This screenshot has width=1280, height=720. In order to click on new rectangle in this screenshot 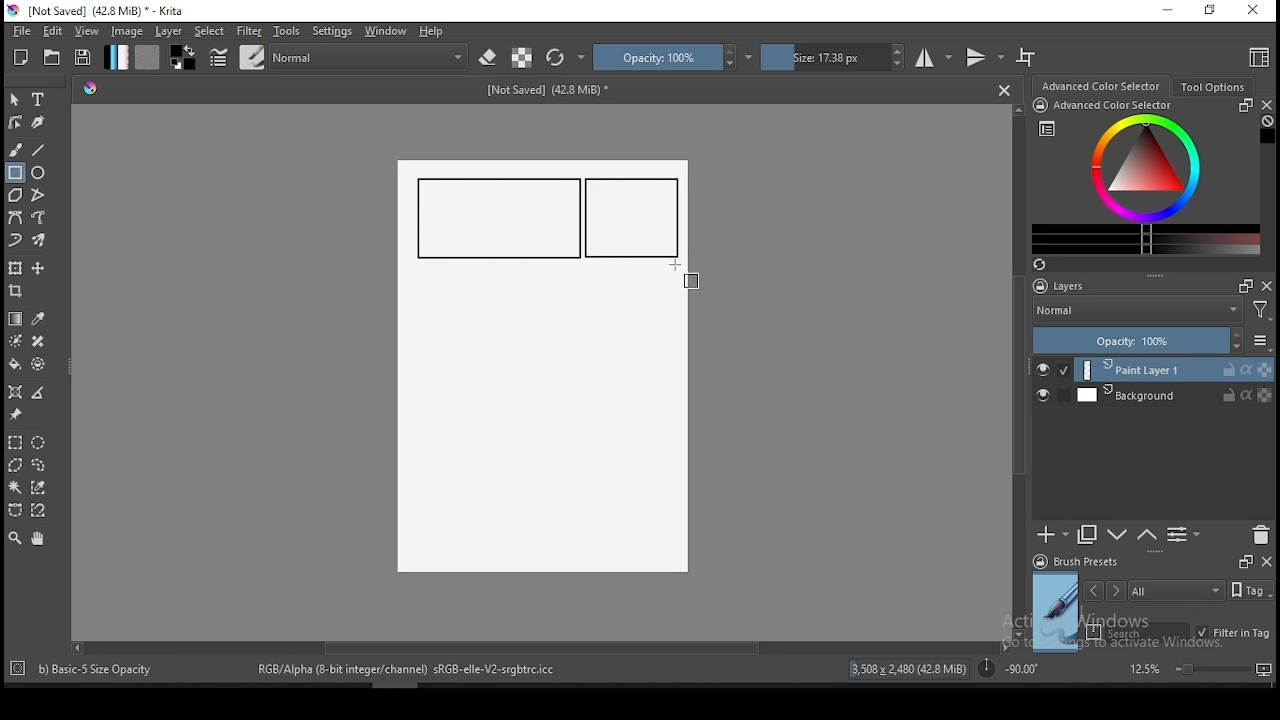, I will do `click(496, 218)`.